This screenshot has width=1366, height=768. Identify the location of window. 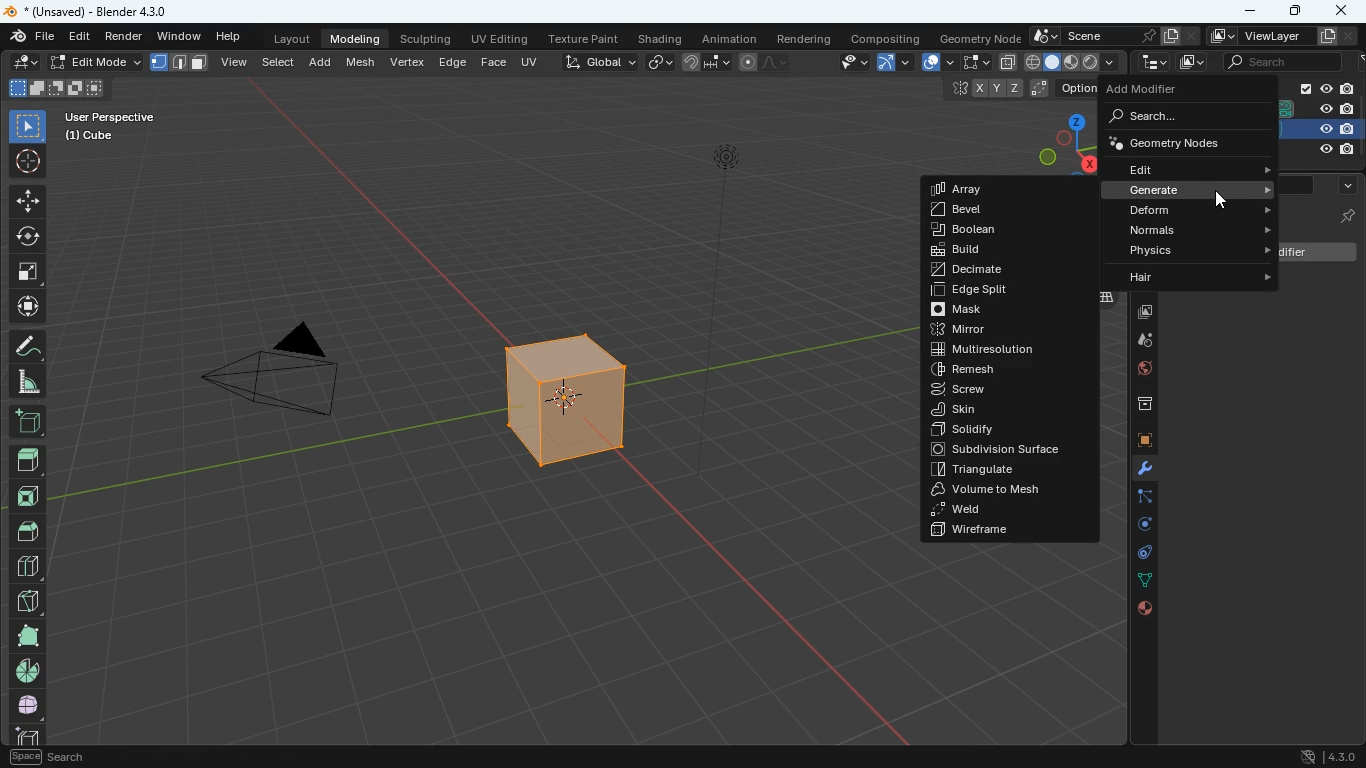
(181, 37).